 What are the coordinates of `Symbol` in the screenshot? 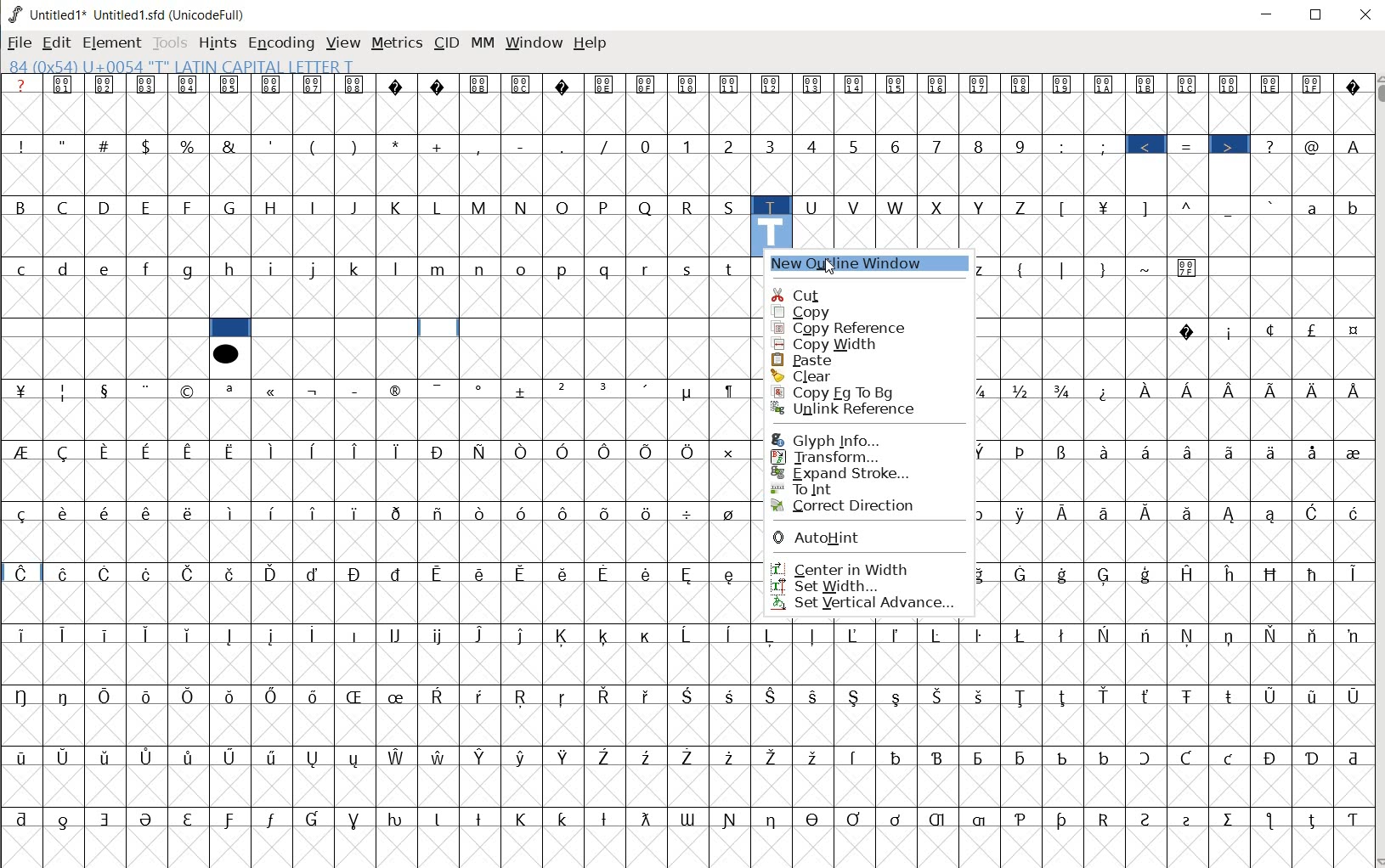 It's located at (1314, 84).